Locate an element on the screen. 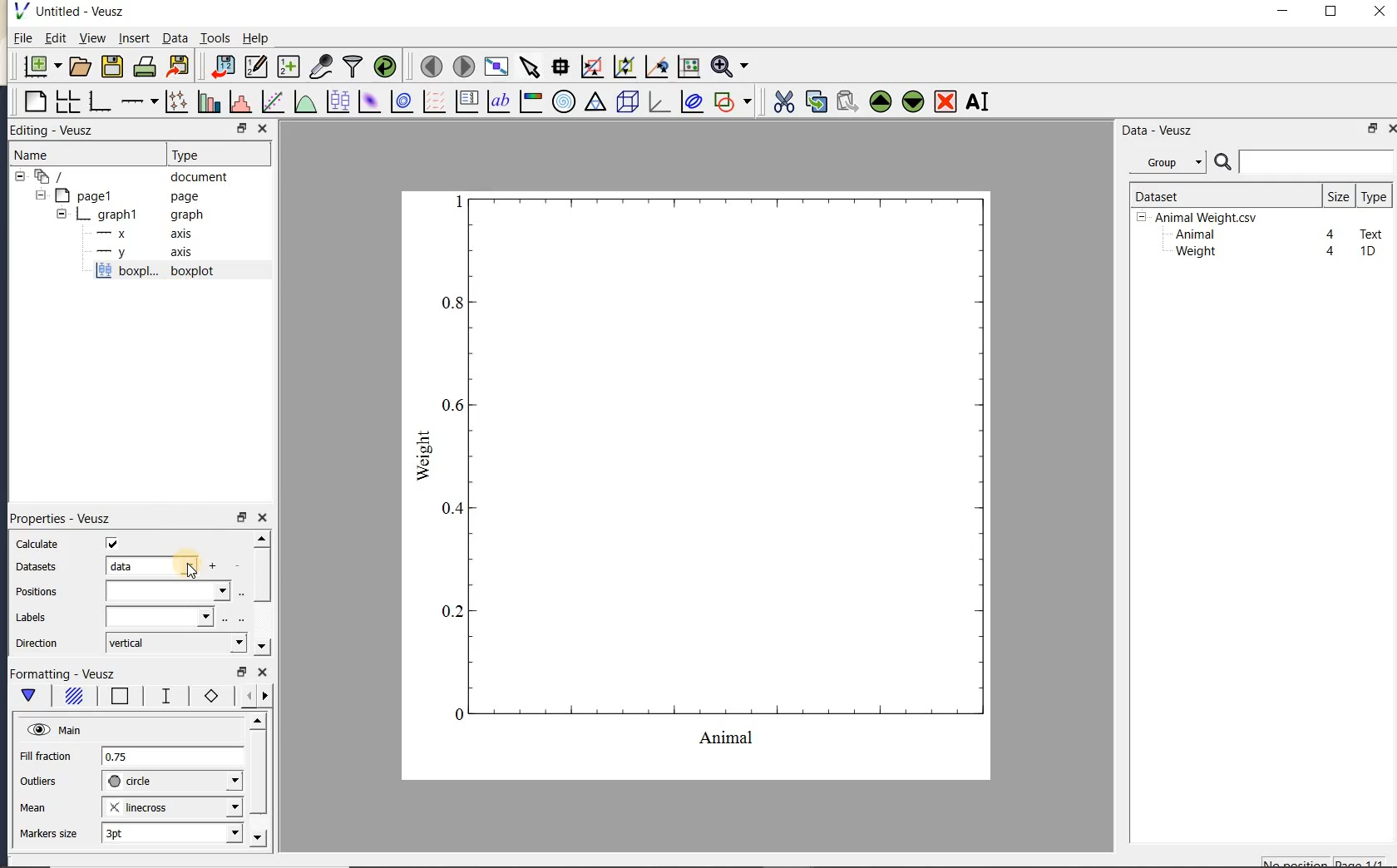  Fill fraction is located at coordinates (46, 757).